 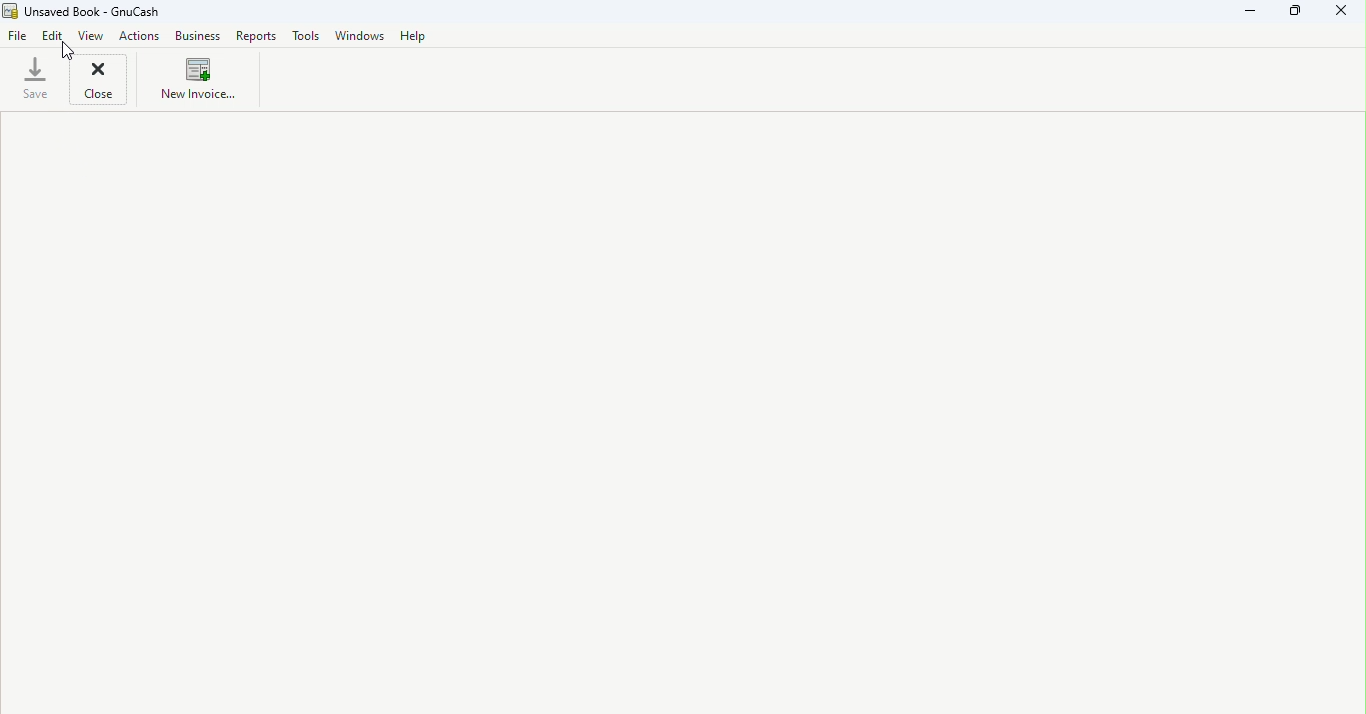 What do you see at coordinates (199, 37) in the screenshot?
I see `Business` at bounding box center [199, 37].